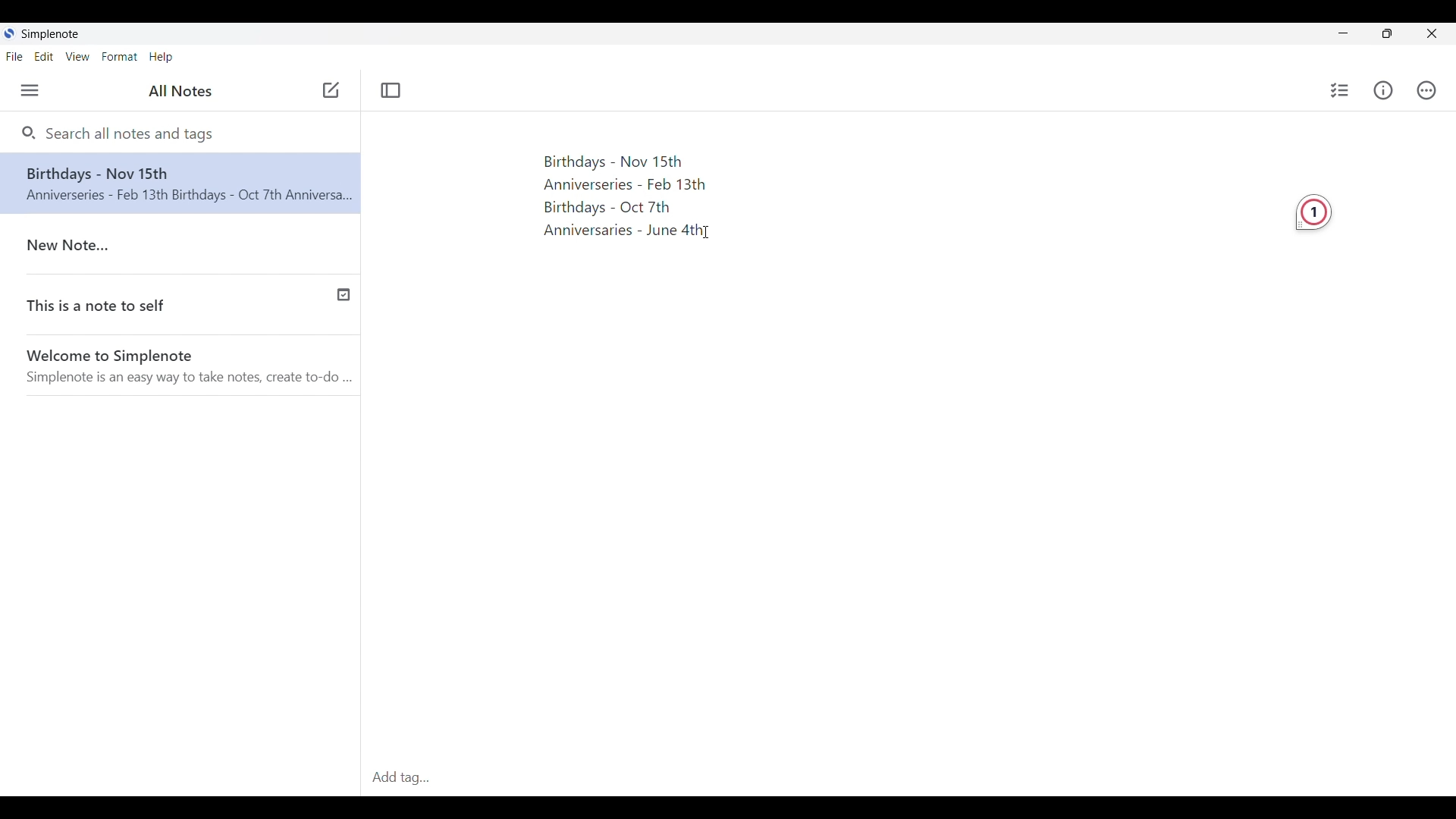 This screenshot has height=819, width=1456. Describe the element at coordinates (1344, 33) in the screenshot. I see `Minimize` at that location.